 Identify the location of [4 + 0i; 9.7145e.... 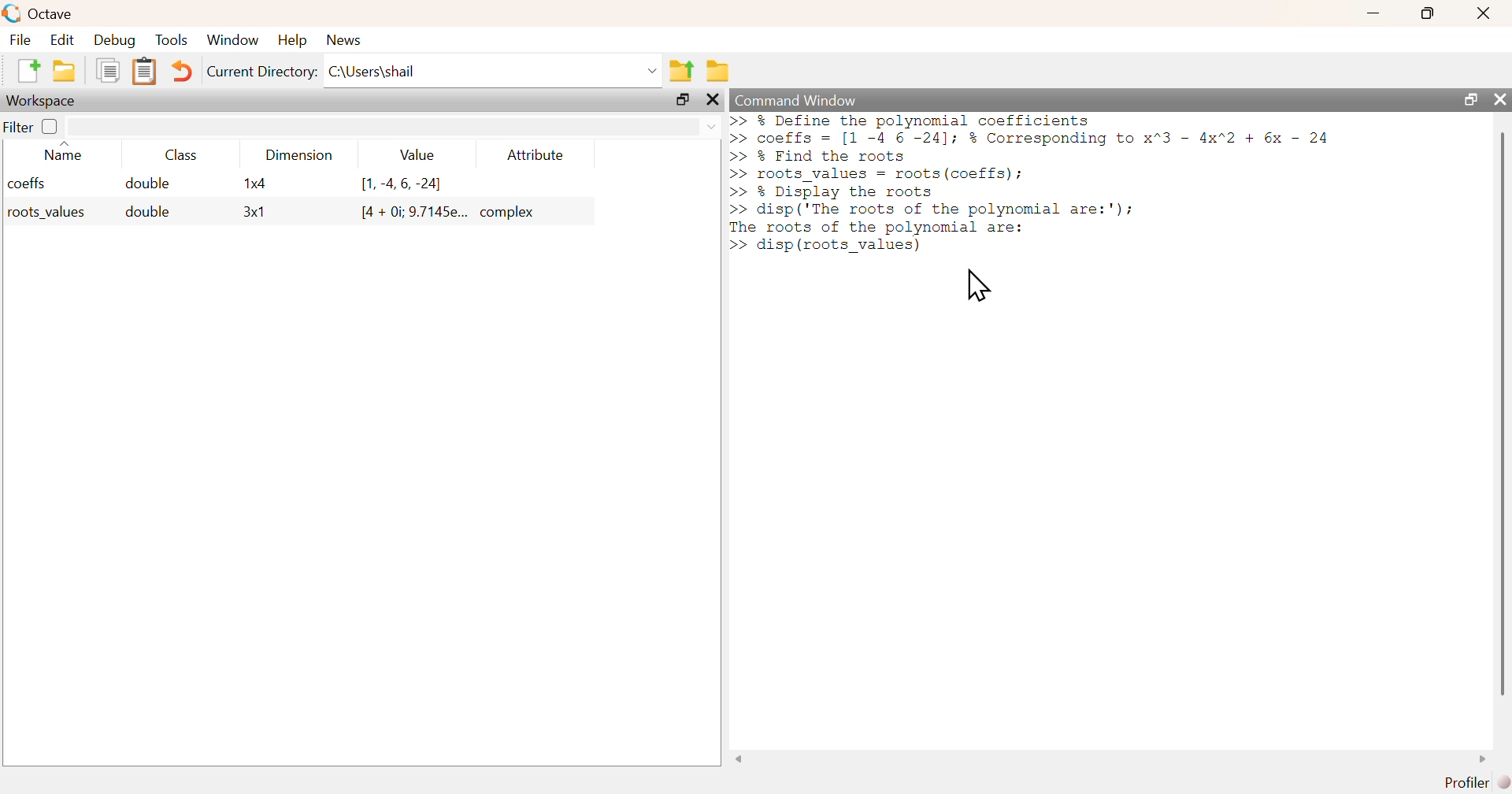
(413, 212).